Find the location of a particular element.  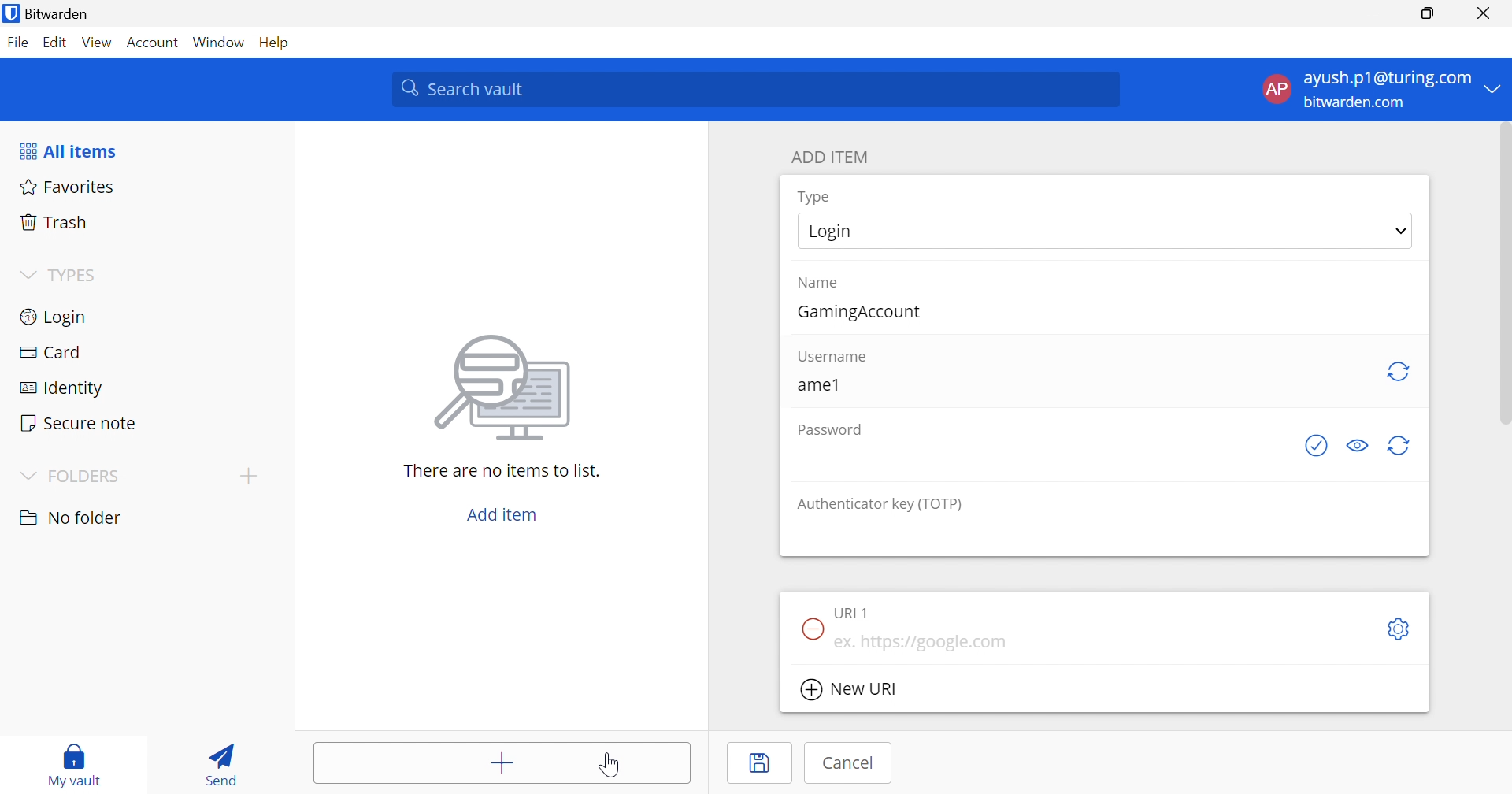

Add item is located at coordinates (498, 514).